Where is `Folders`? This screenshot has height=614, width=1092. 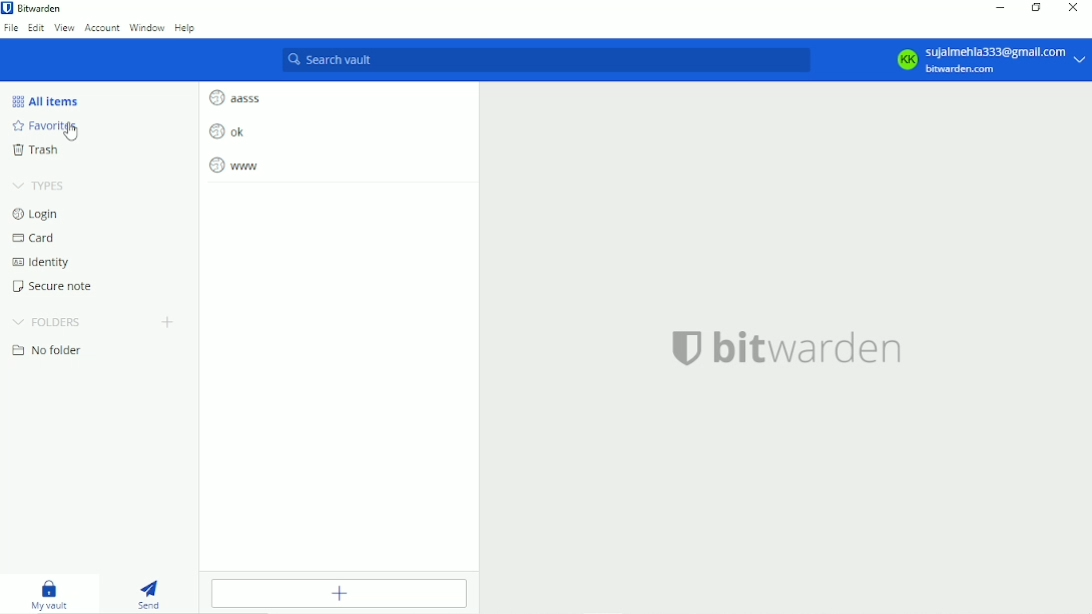 Folders is located at coordinates (49, 320).